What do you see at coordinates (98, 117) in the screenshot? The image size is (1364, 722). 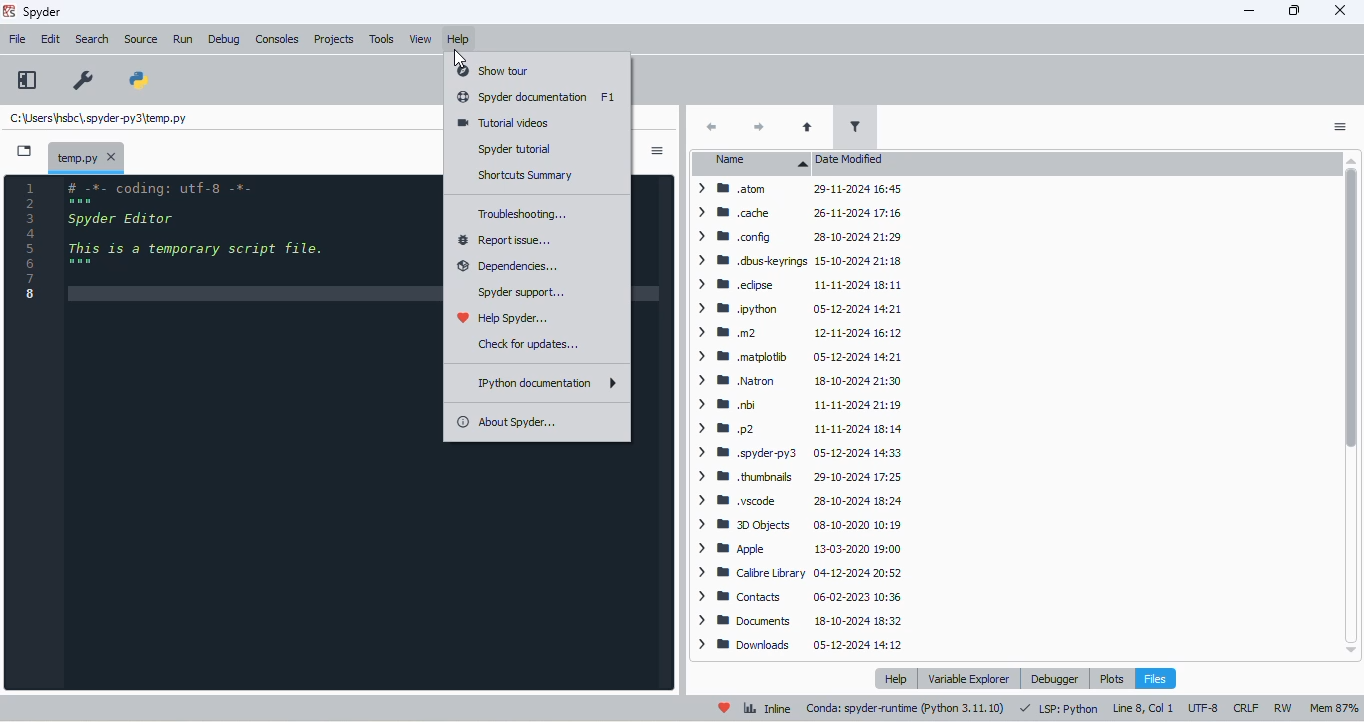 I see `temporary file` at bounding box center [98, 117].